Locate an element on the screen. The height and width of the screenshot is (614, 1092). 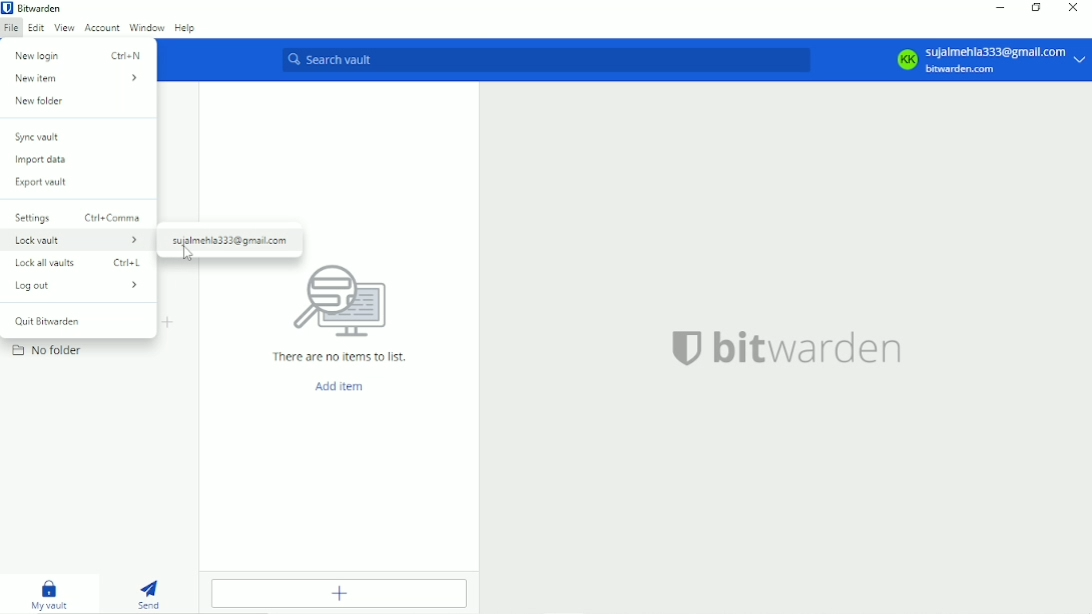
Lock all vaults    ctrl+L is located at coordinates (80, 262).